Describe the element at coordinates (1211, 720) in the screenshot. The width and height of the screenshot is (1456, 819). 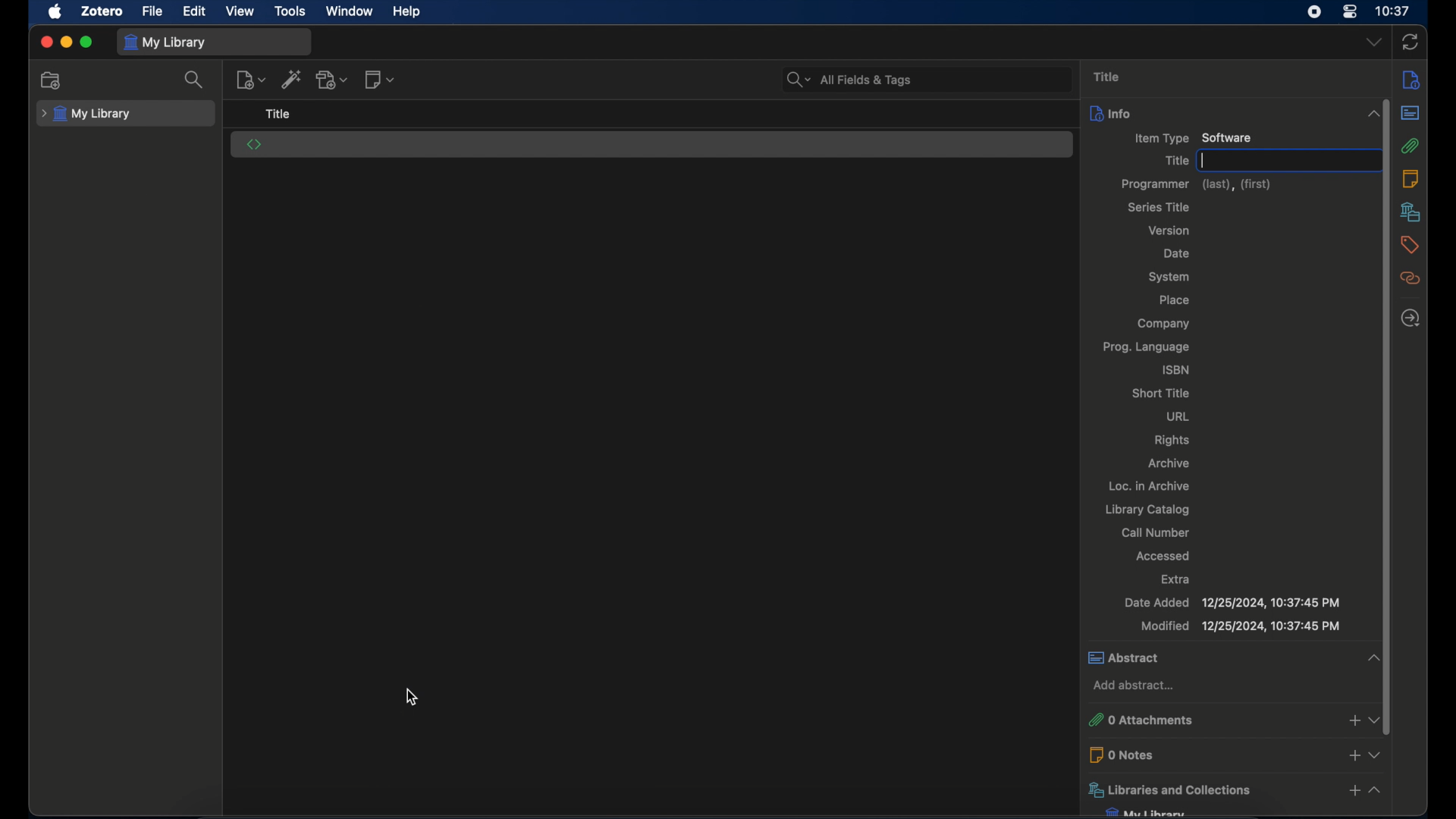
I see `0 attachments` at that location.